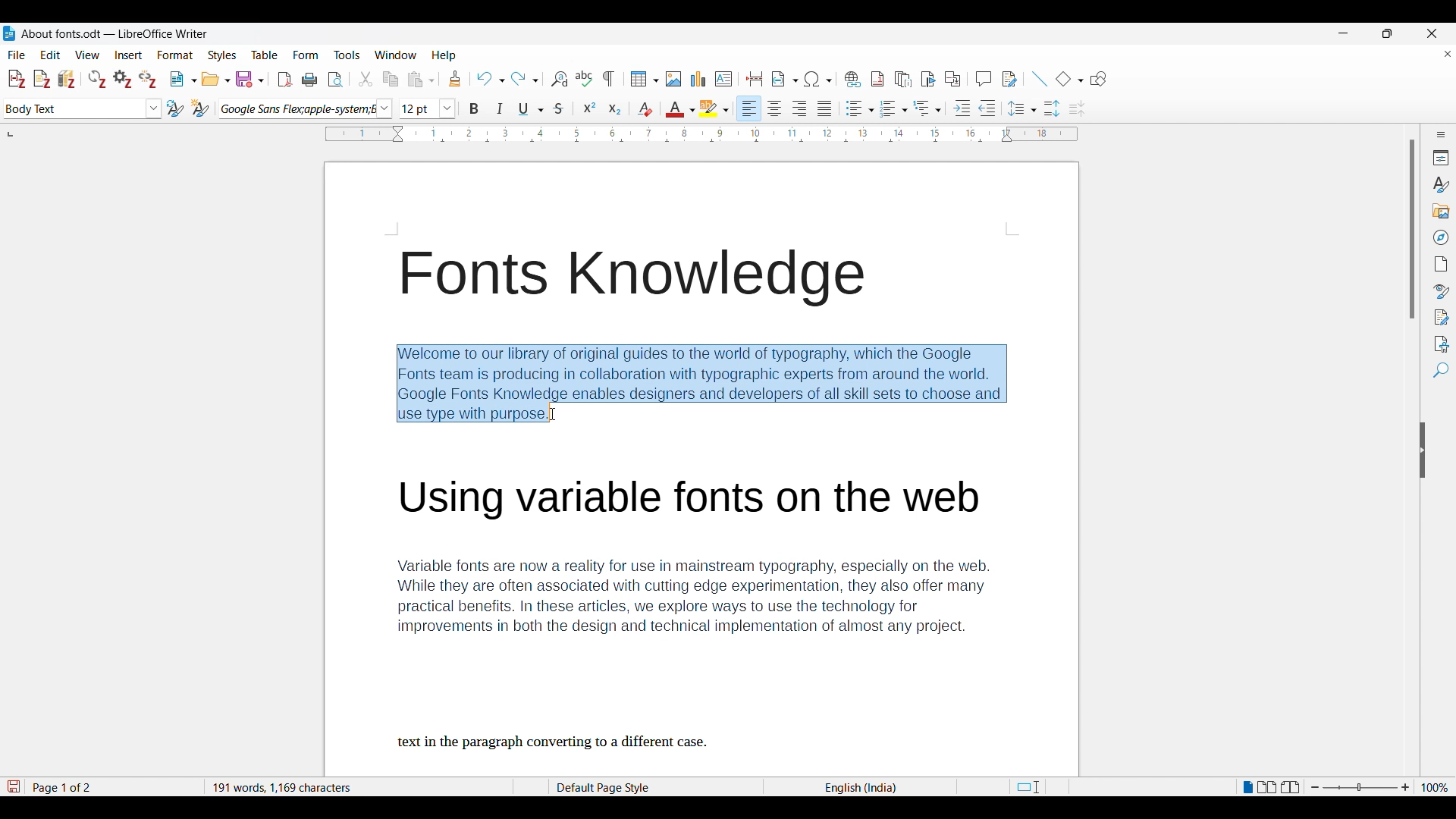 This screenshot has height=819, width=1456. I want to click on Styles, so click(1440, 185).